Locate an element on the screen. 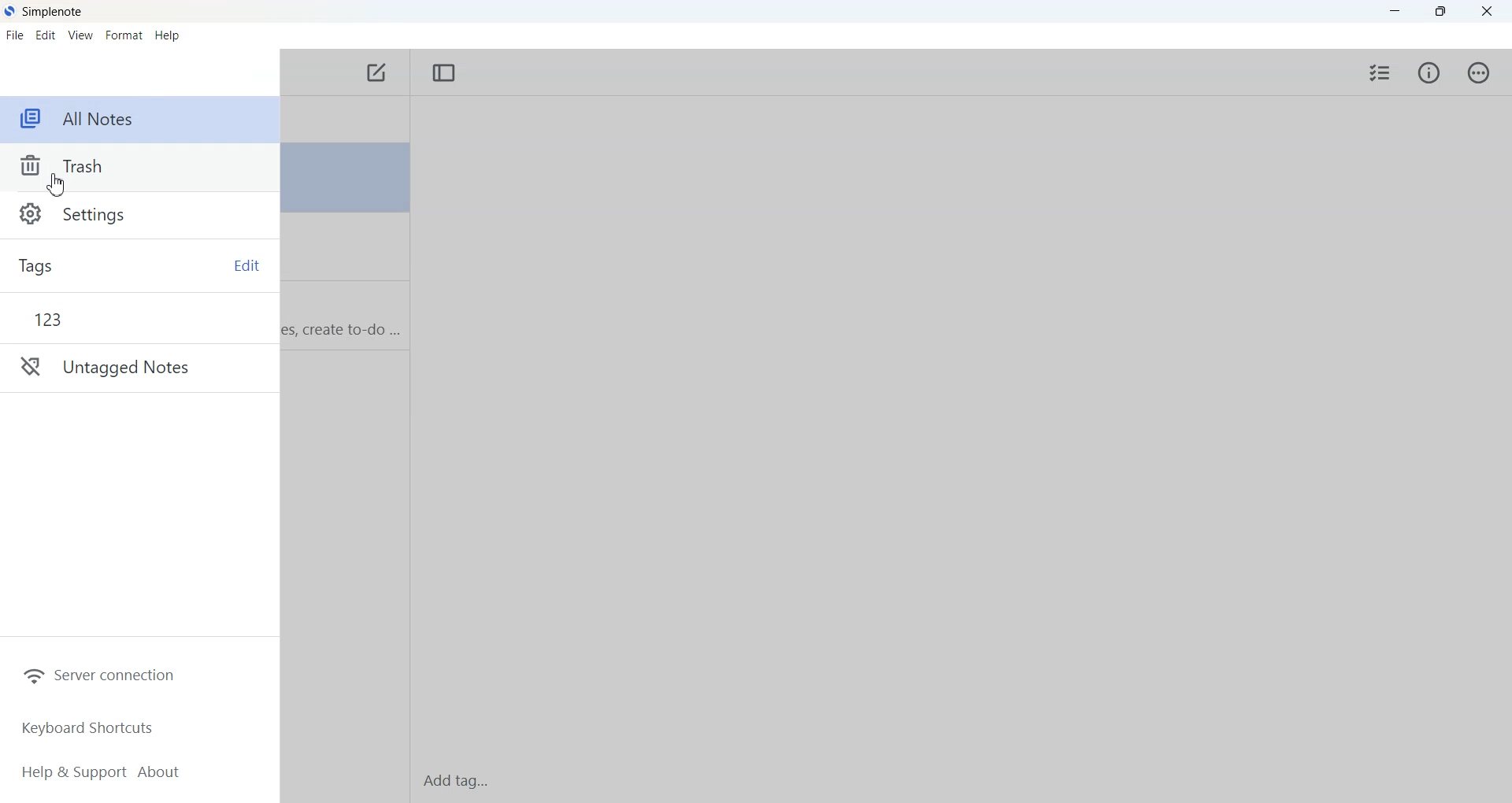 The height and width of the screenshot is (803, 1512). Keyboards Shortcuts is located at coordinates (87, 727).